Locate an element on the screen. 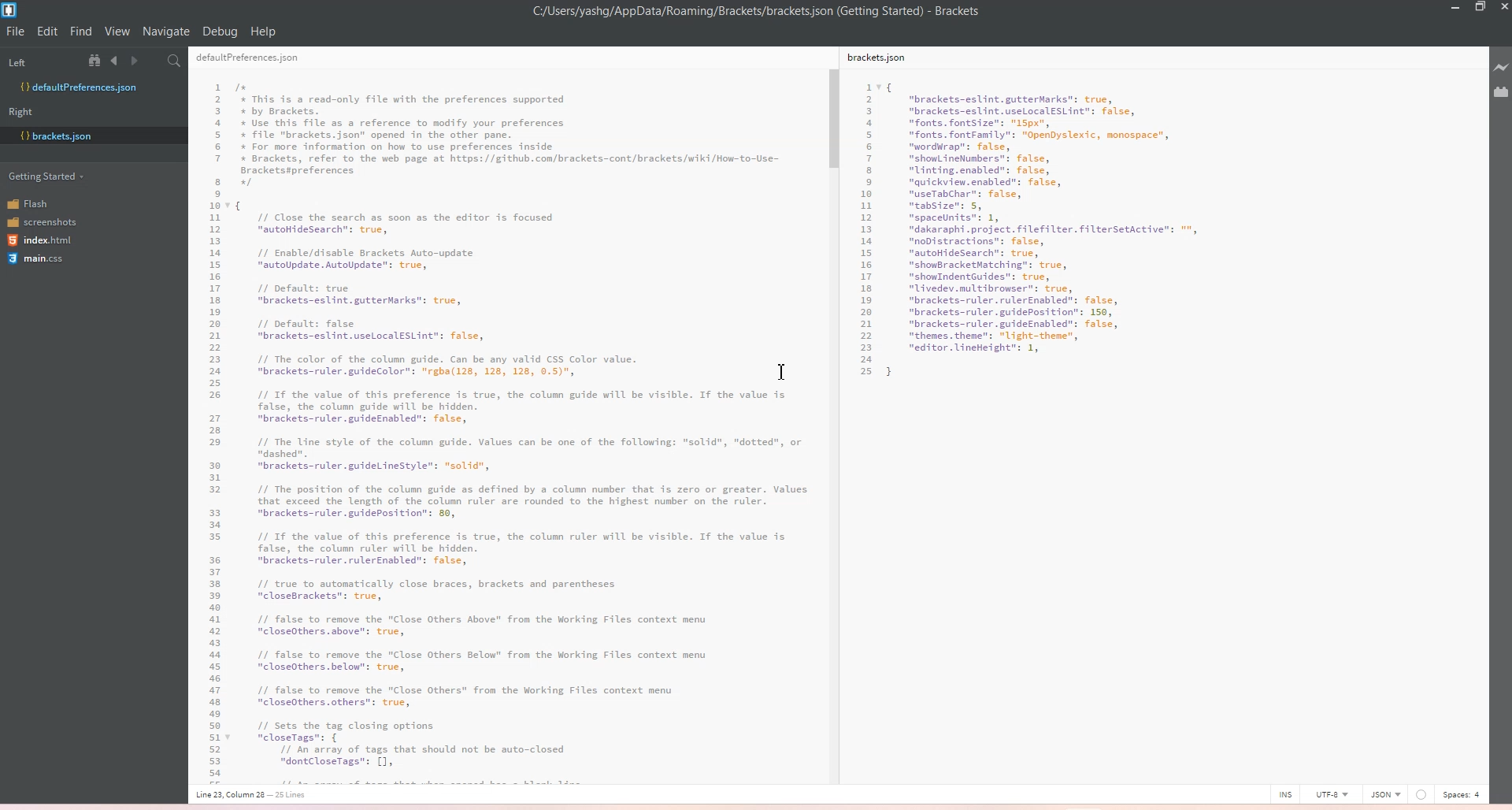  Text Cursor is located at coordinates (784, 372).